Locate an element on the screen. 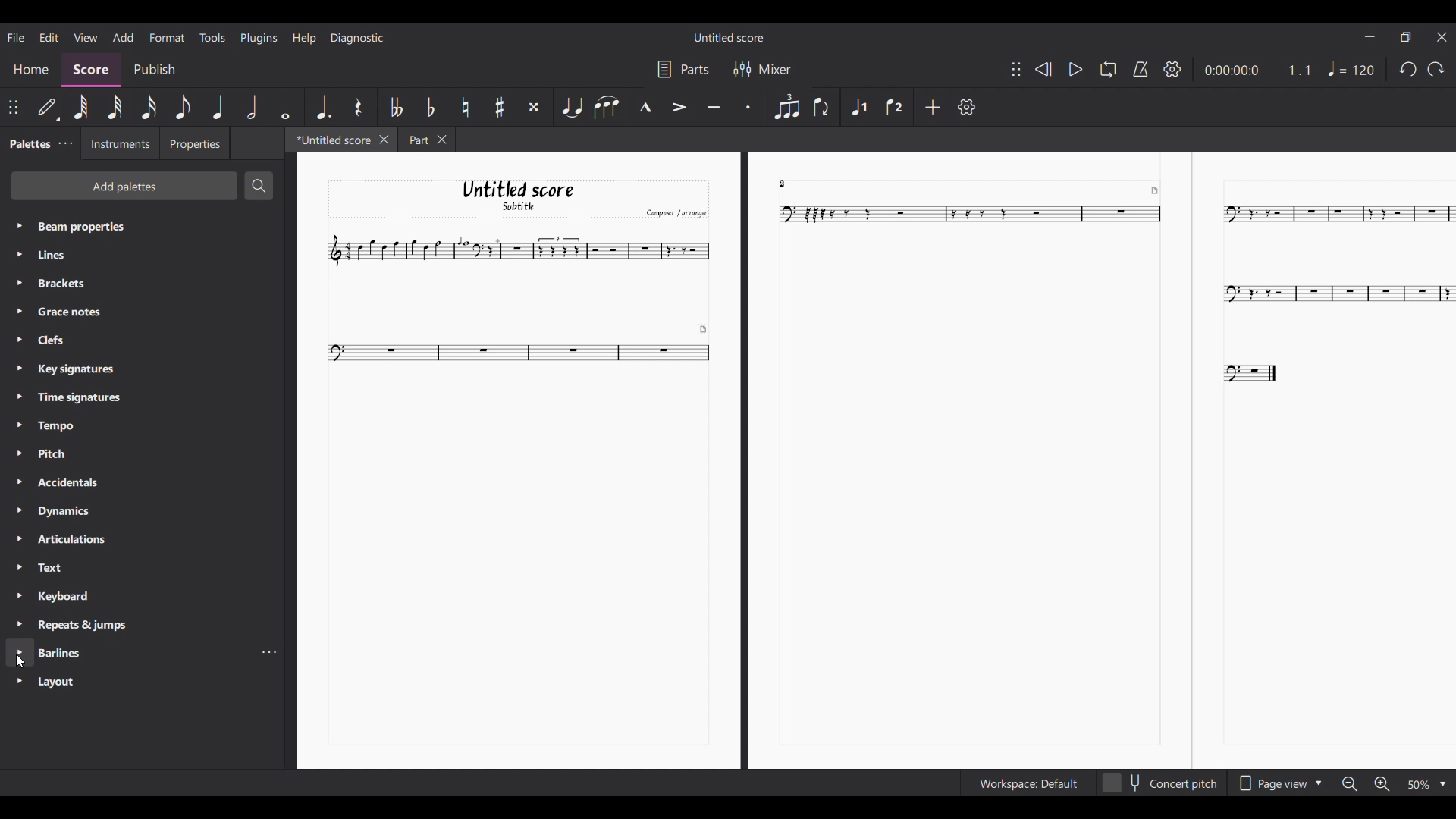 This screenshot has height=819, width=1456. Rest is located at coordinates (359, 107).